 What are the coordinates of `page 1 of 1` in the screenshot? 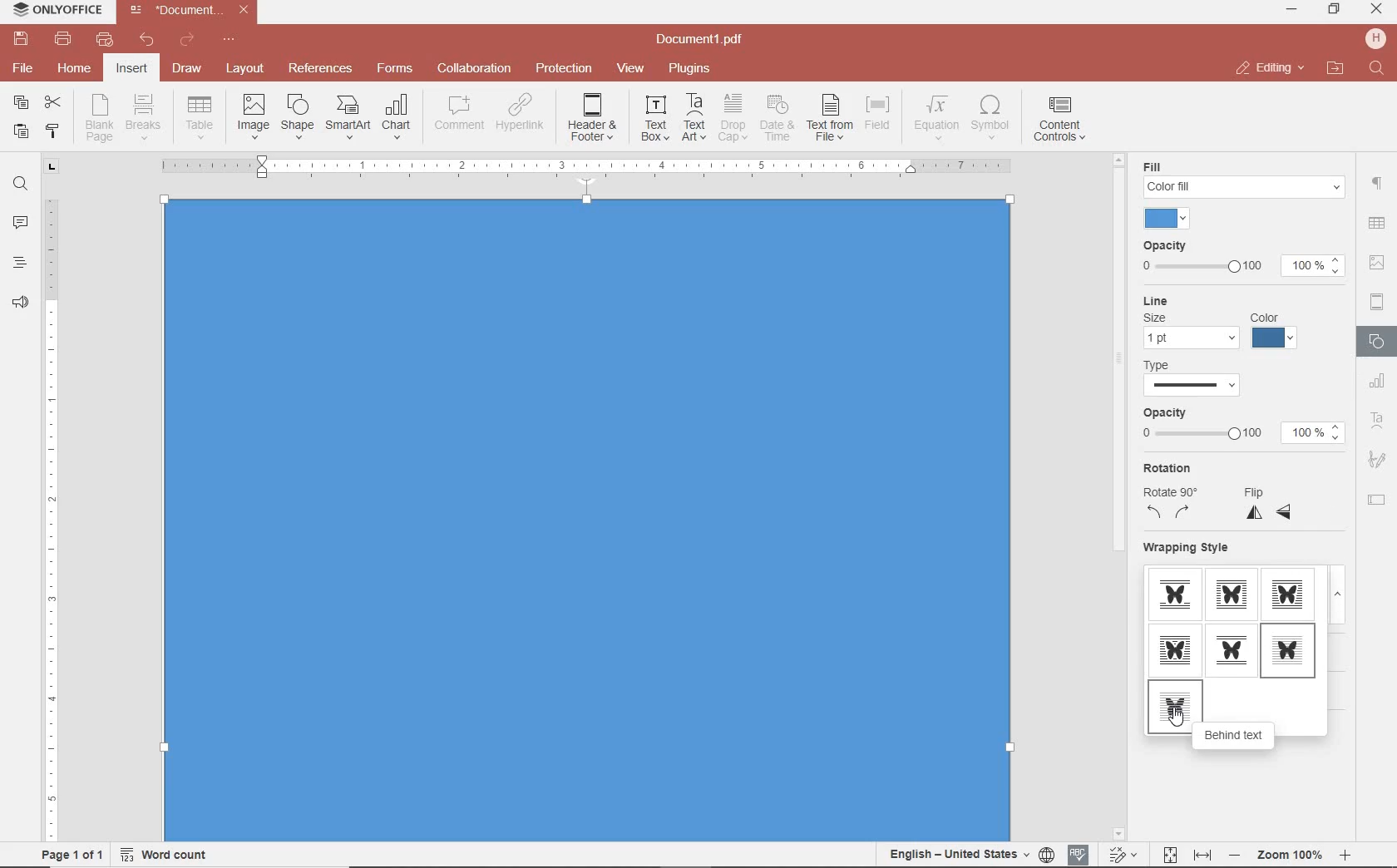 It's located at (69, 853).